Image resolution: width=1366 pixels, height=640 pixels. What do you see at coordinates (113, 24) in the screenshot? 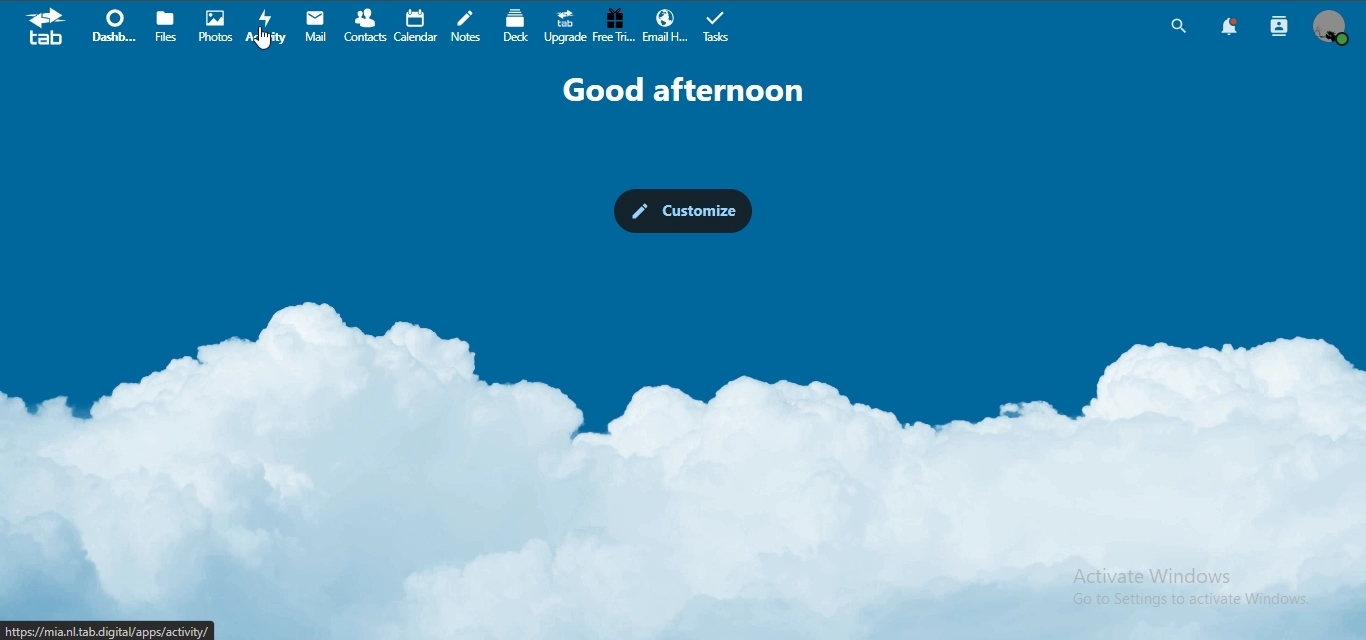
I see `dashboard` at bounding box center [113, 24].